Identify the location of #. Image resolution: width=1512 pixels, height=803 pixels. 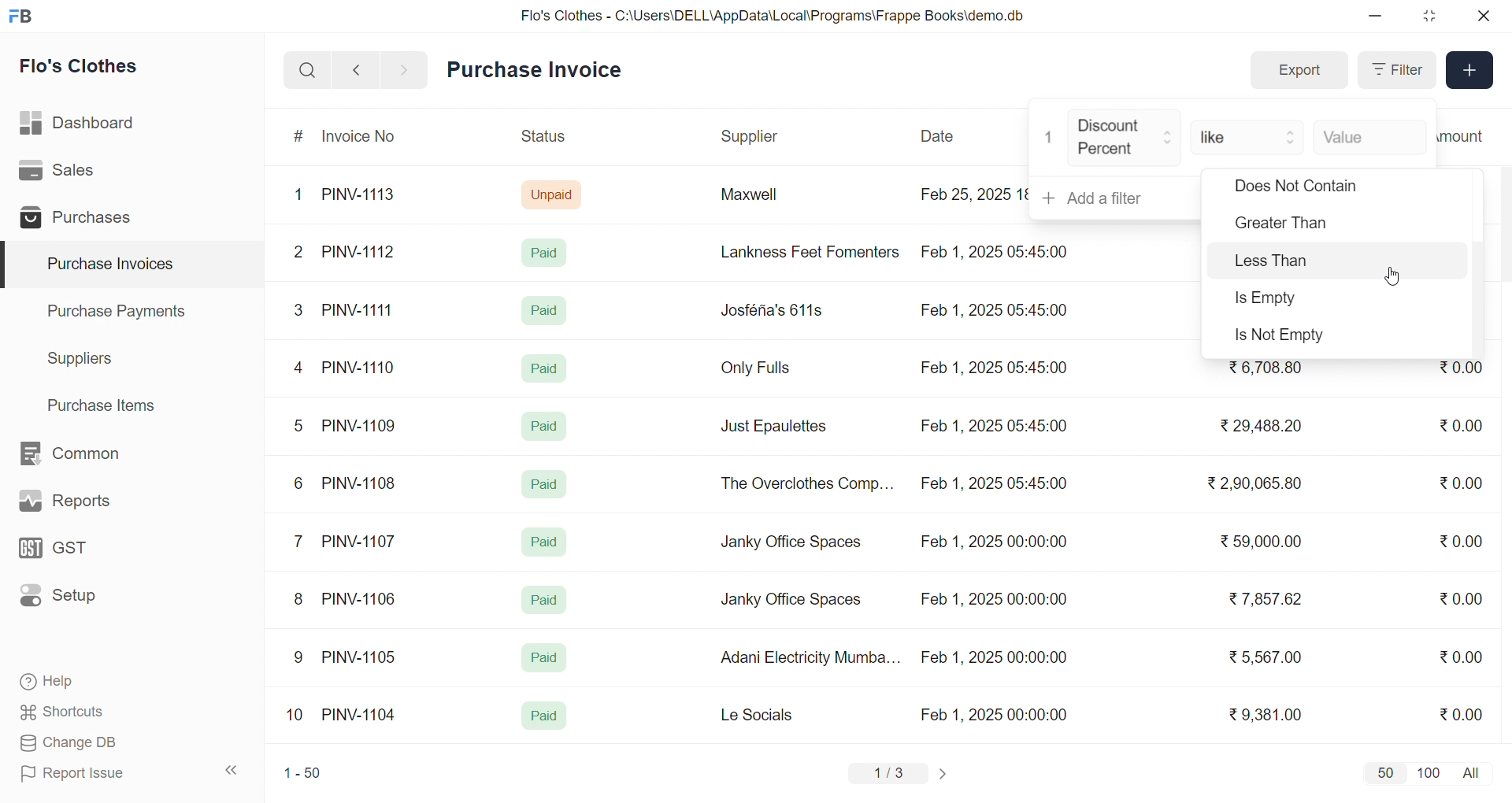
(299, 138).